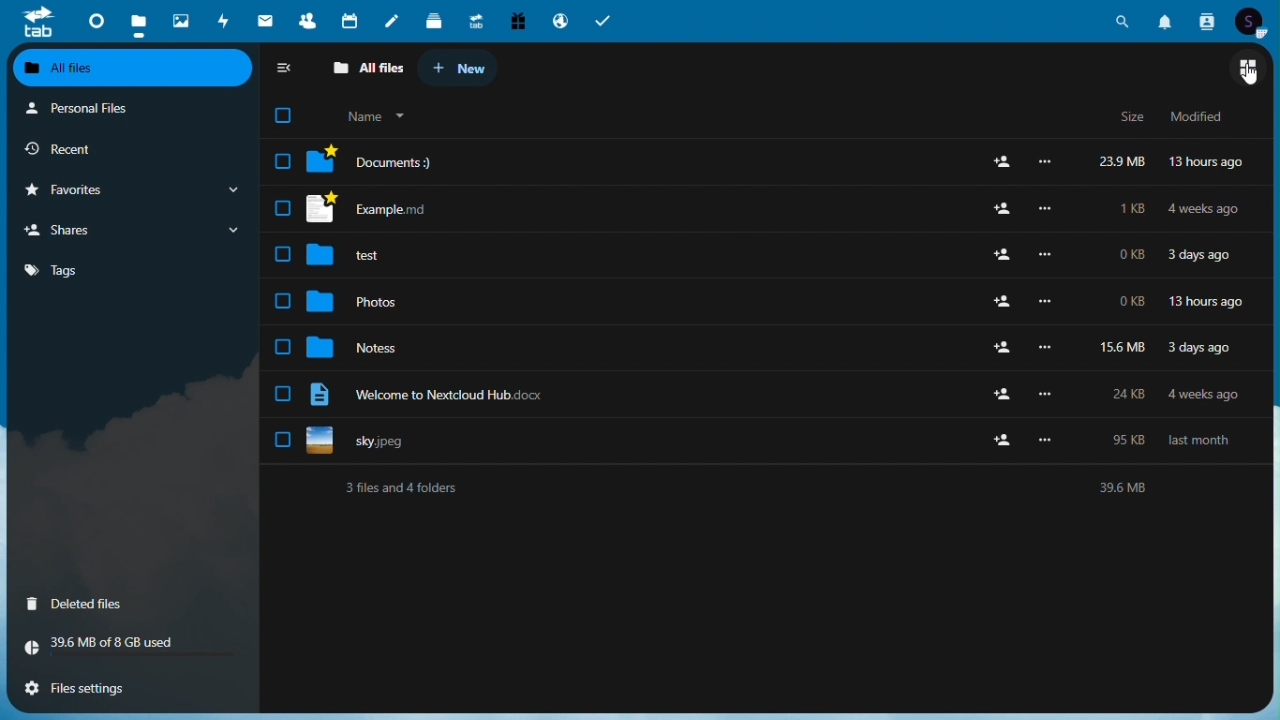 The image size is (1280, 720). Describe the element at coordinates (1120, 163) in the screenshot. I see `23.9 mb` at that location.